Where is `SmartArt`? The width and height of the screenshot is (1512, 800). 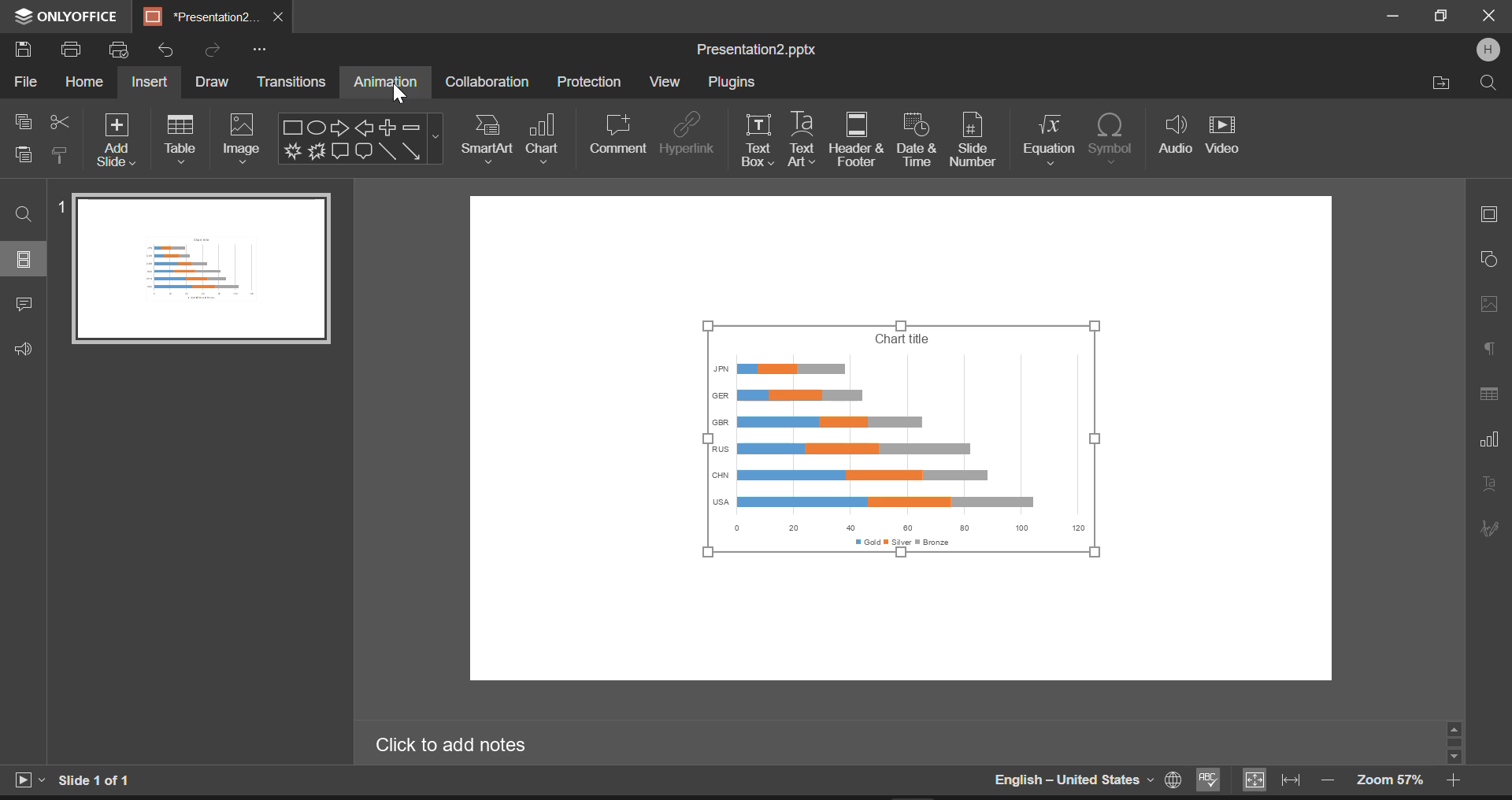 SmartArt is located at coordinates (487, 140).